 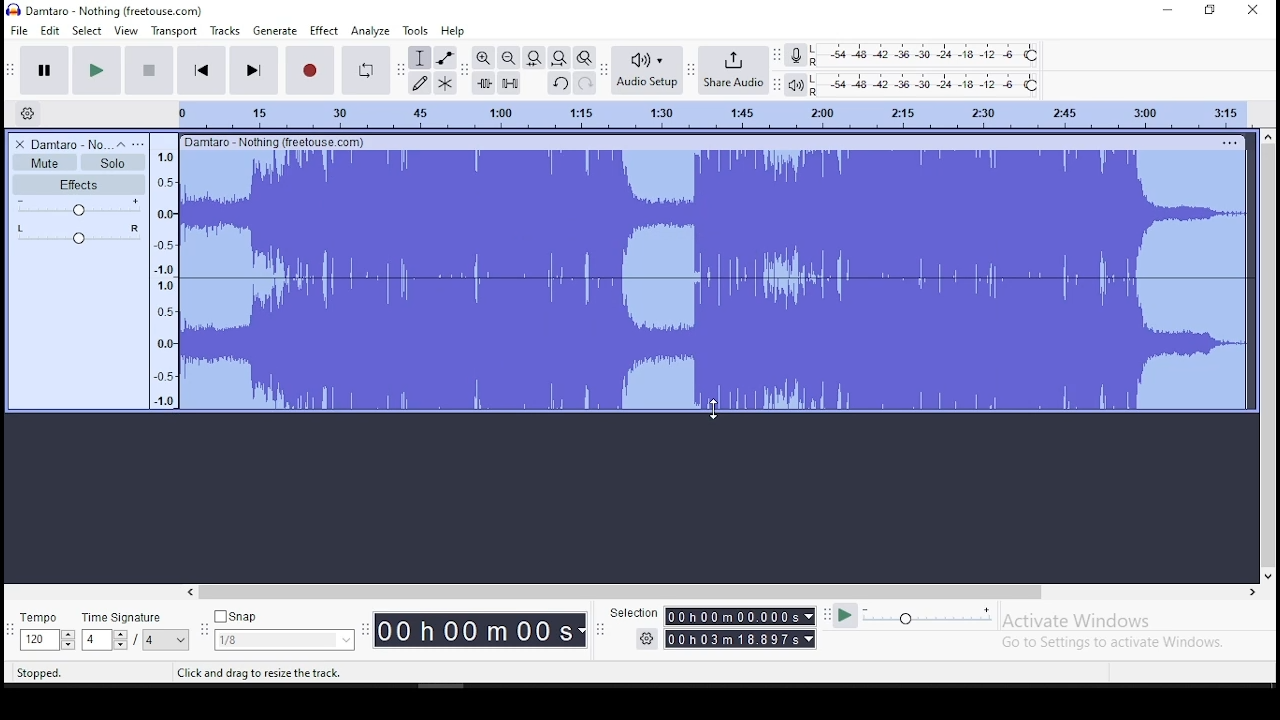 I want to click on recording level, so click(x=925, y=55).